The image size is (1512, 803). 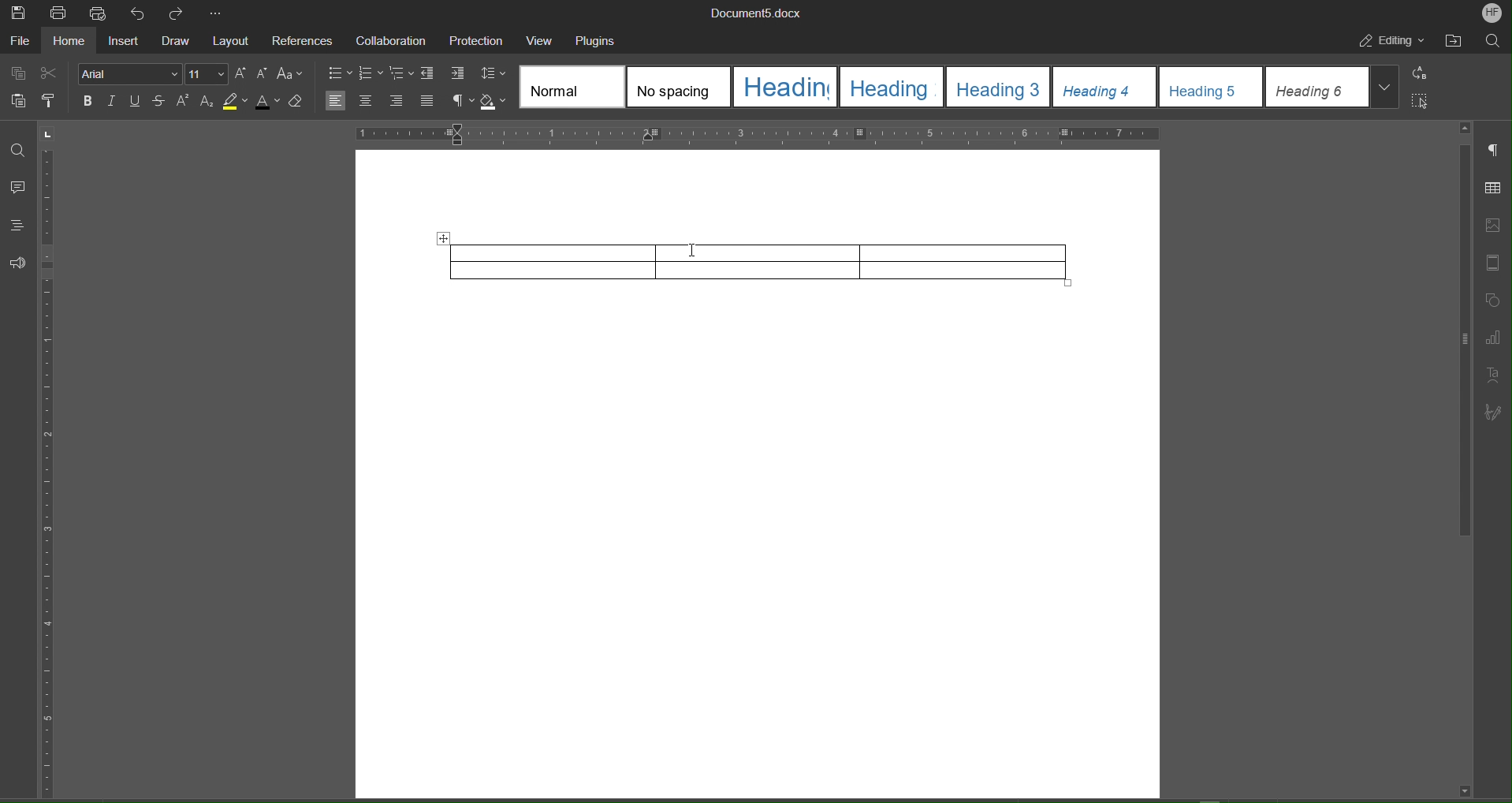 I want to click on Italic, so click(x=112, y=102).